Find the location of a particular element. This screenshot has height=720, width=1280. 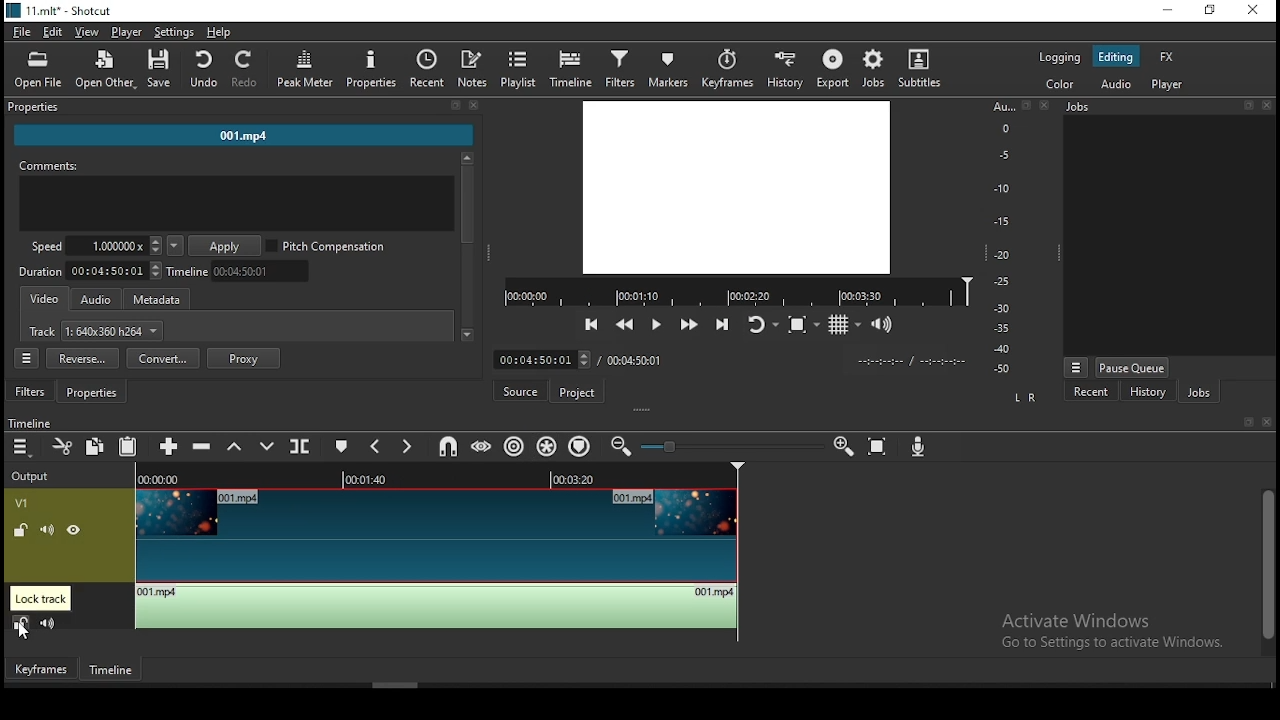

pitch compensation is located at coordinates (326, 244).